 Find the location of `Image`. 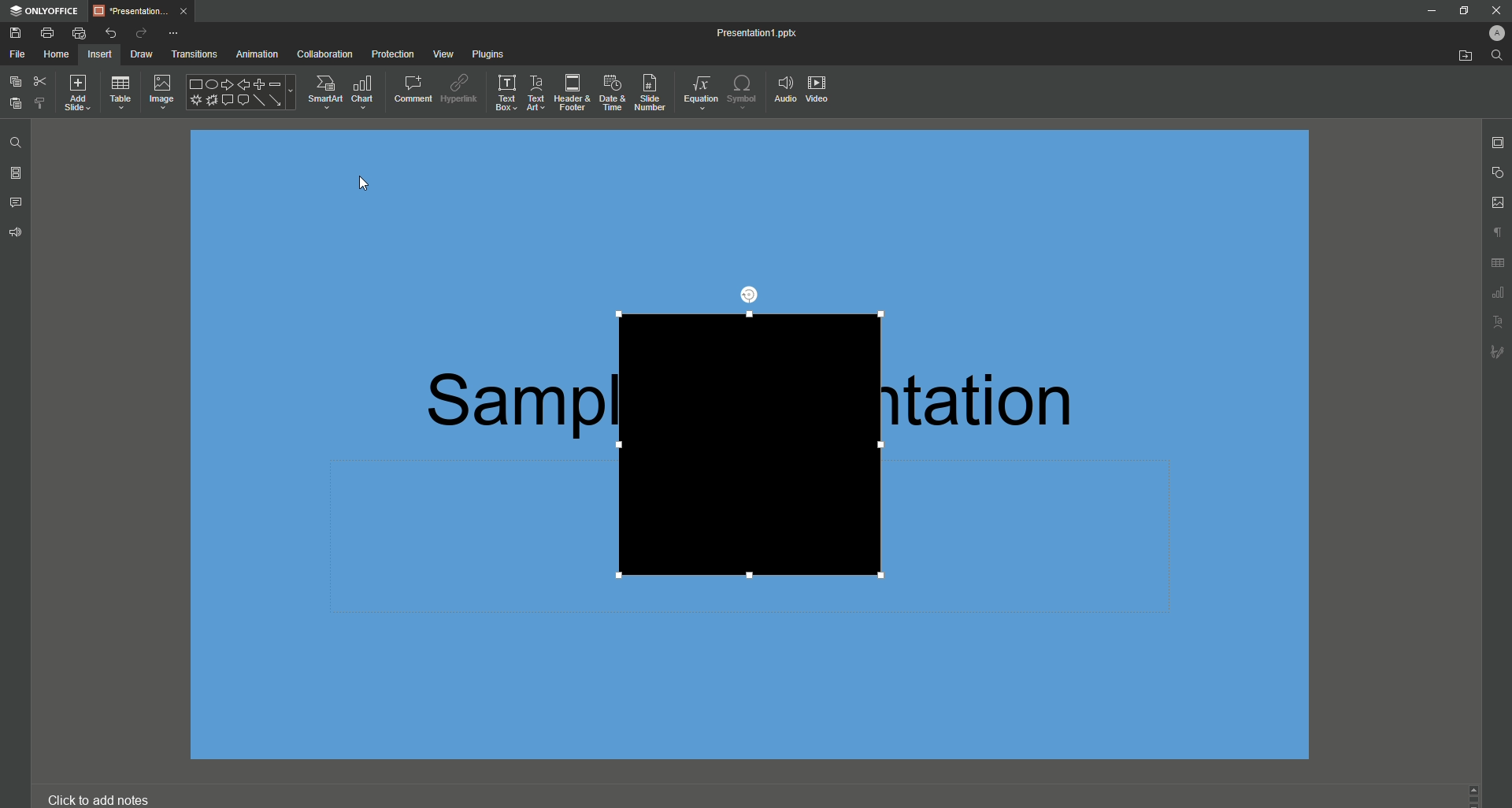

Image is located at coordinates (161, 92).